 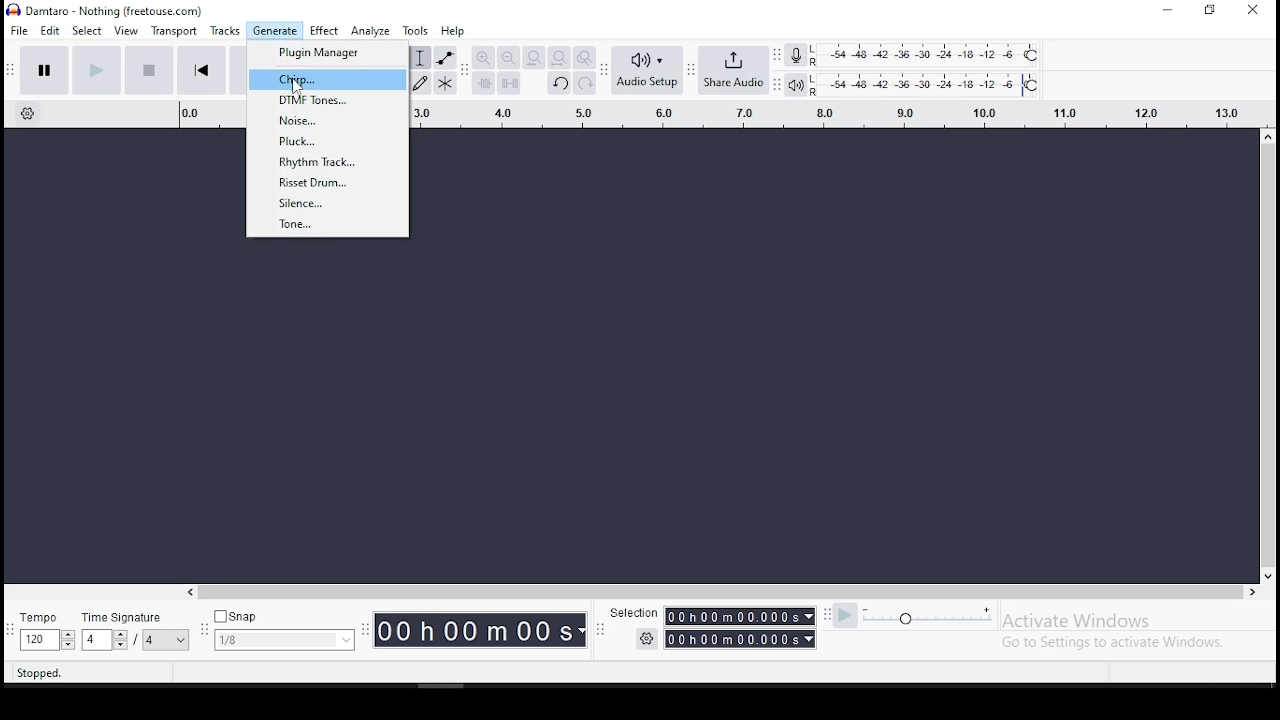 What do you see at coordinates (797, 56) in the screenshot?
I see `record meter` at bounding box center [797, 56].